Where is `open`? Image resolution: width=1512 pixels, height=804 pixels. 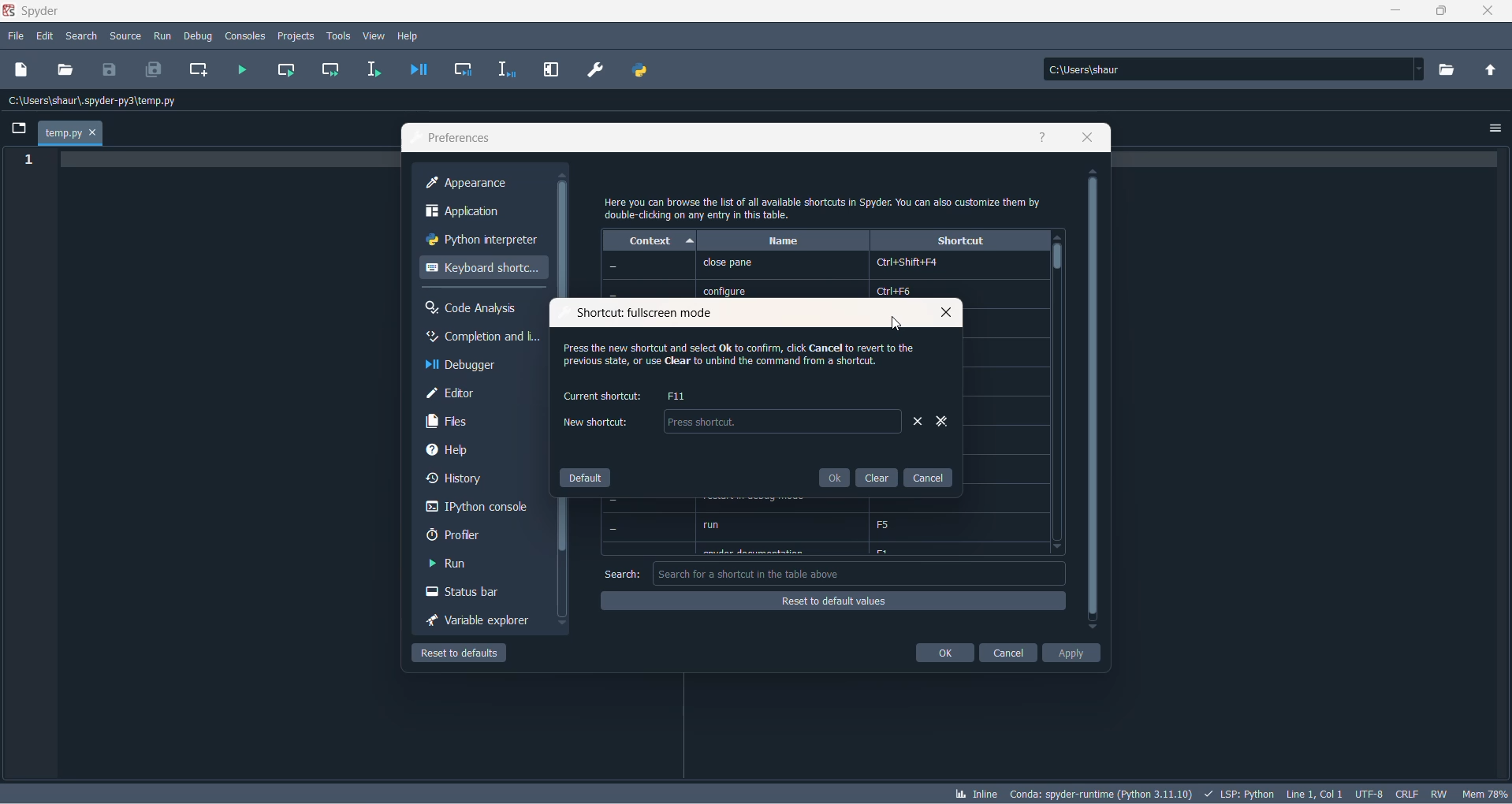 open is located at coordinates (65, 69).